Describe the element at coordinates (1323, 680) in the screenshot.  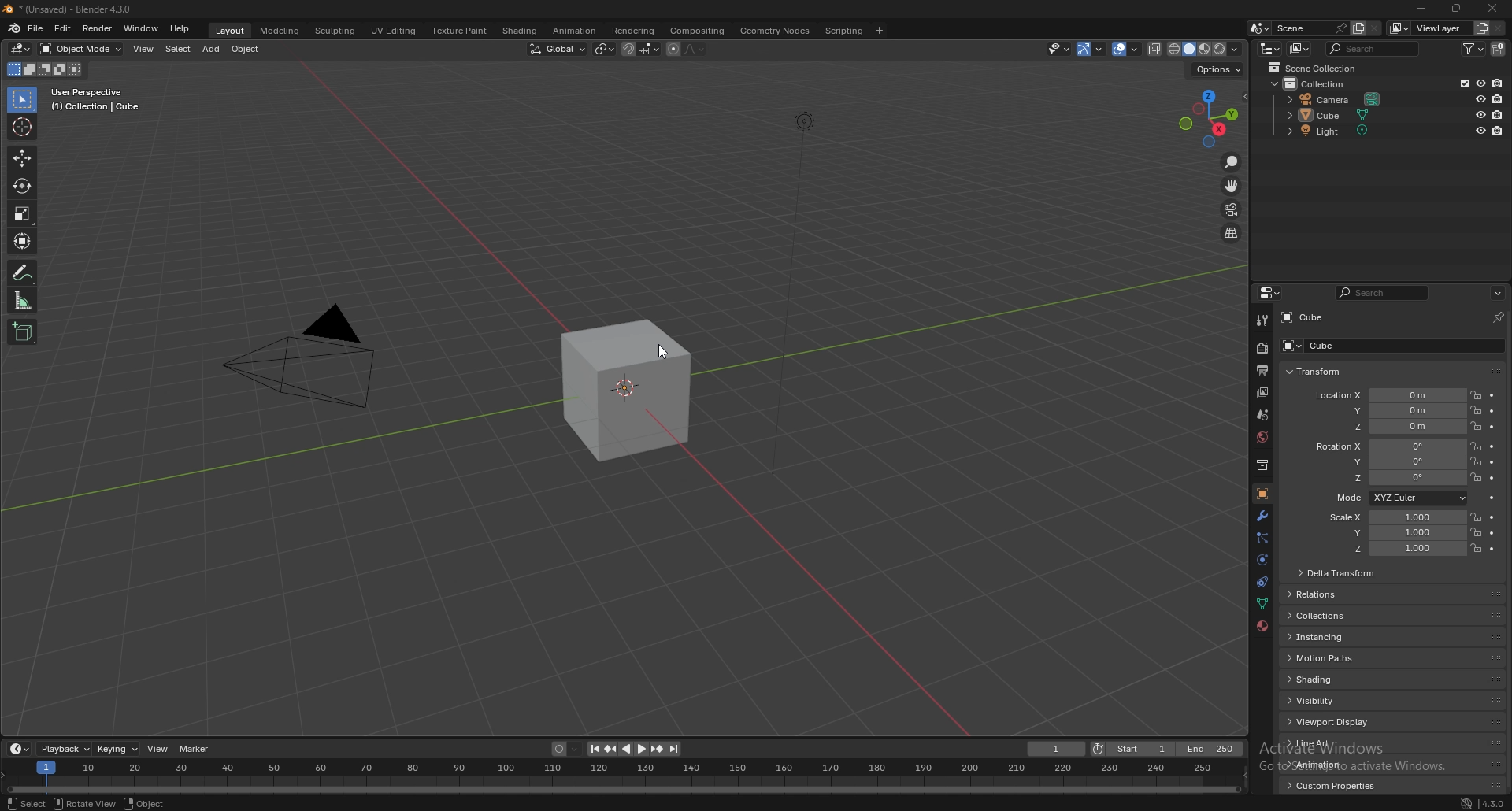
I see `shading` at that location.